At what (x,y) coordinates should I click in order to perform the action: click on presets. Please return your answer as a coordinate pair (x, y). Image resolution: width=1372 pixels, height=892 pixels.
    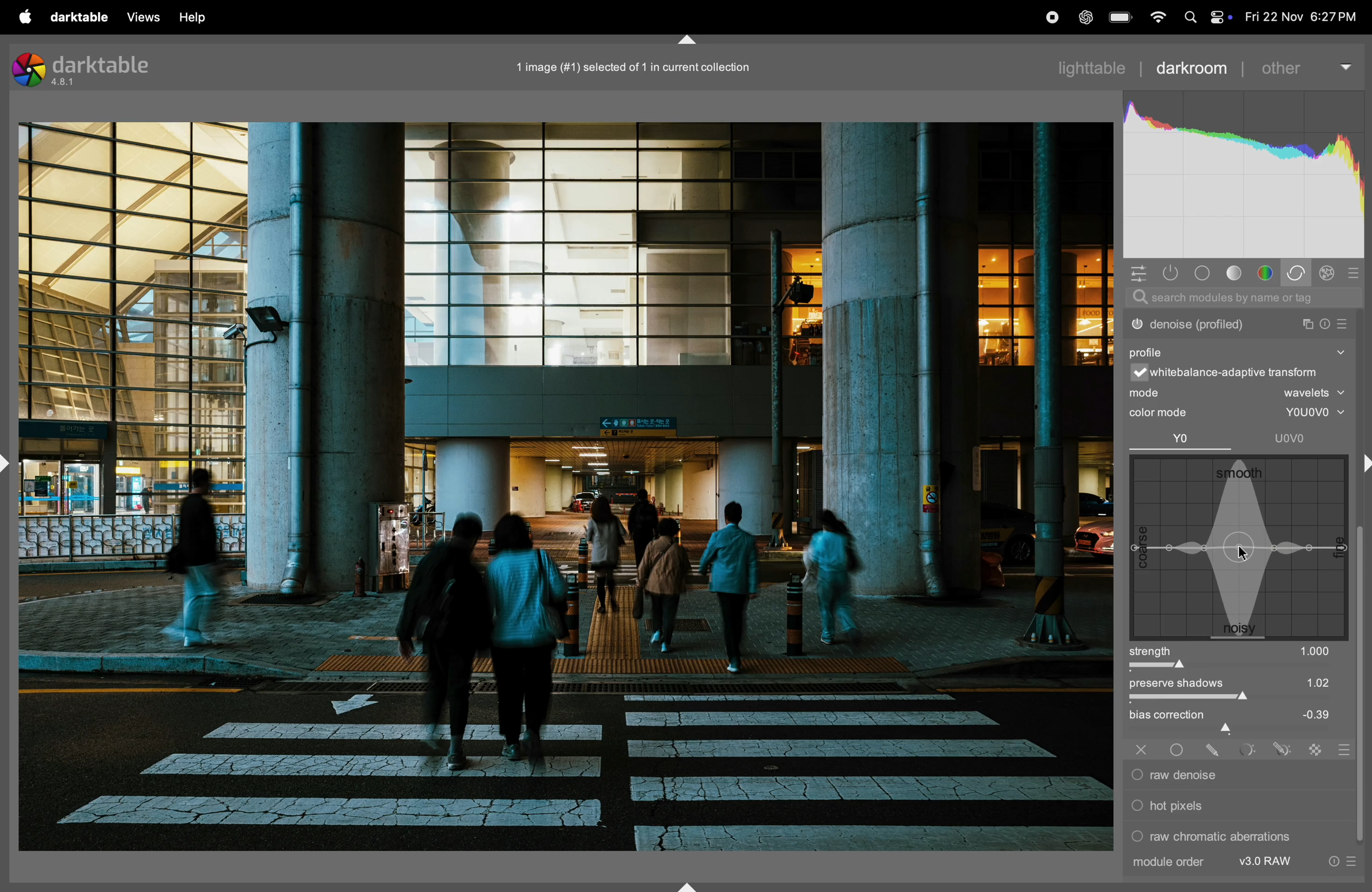
    Looking at the image, I should click on (1342, 324).